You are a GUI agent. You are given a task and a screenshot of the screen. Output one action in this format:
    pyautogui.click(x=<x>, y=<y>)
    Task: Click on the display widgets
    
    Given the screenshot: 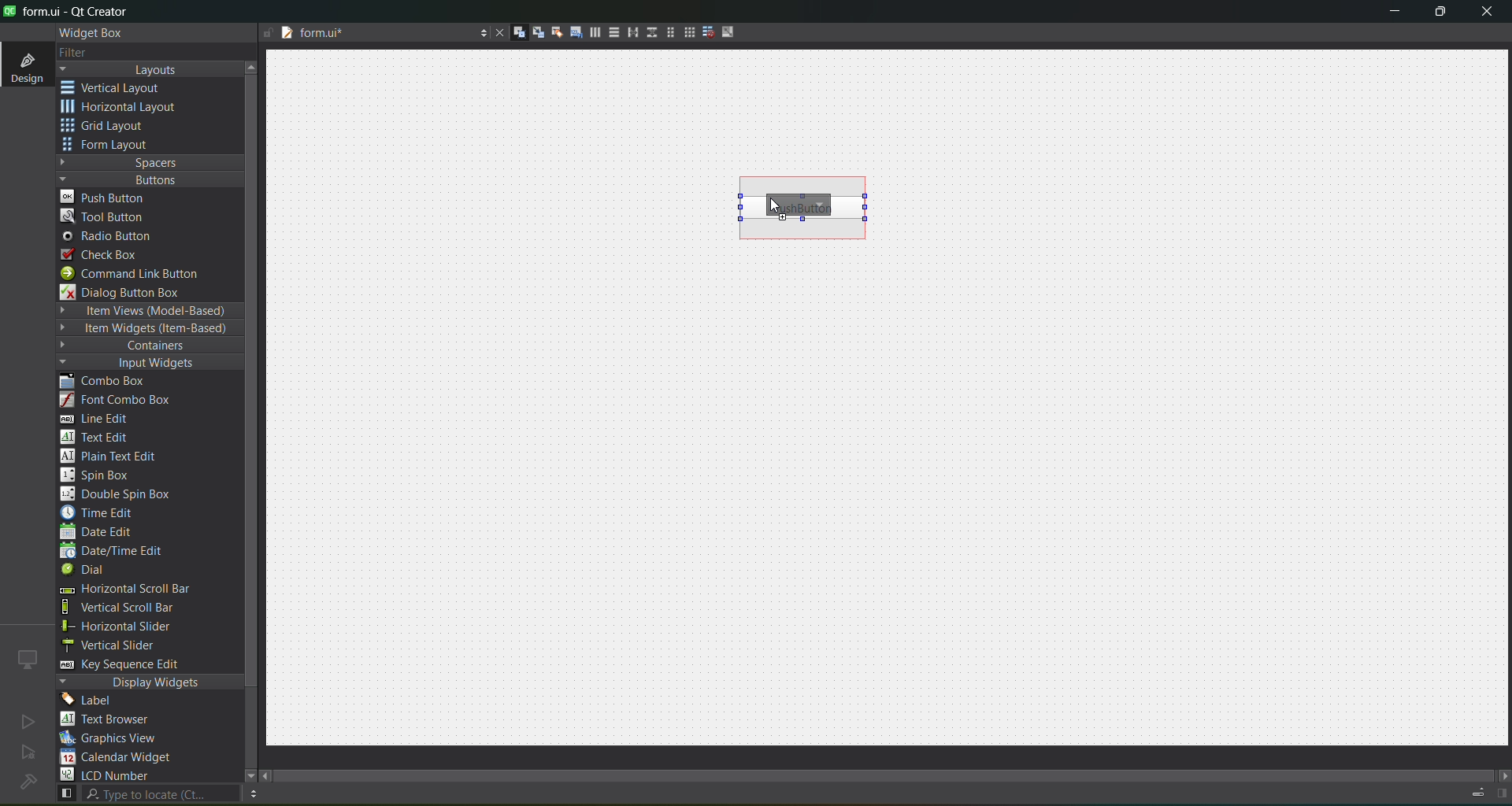 What is the action you would take?
    pyautogui.click(x=150, y=682)
    